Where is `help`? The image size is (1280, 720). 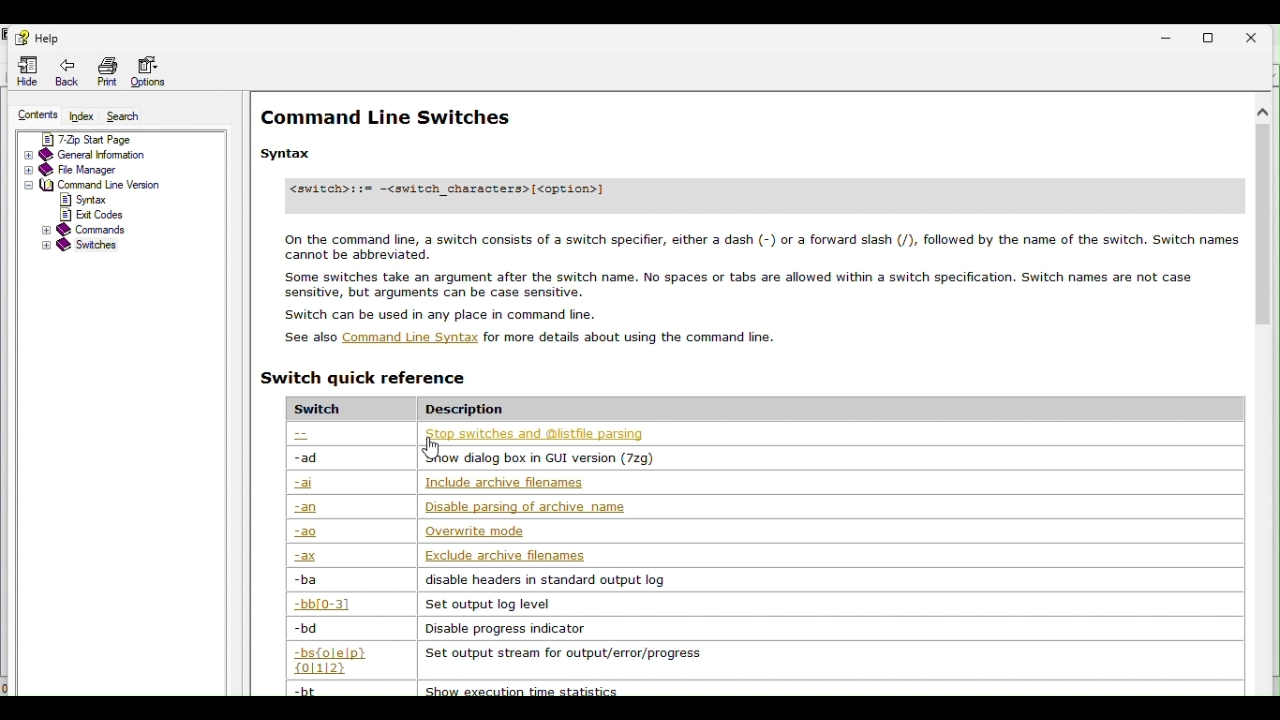
help is located at coordinates (35, 38).